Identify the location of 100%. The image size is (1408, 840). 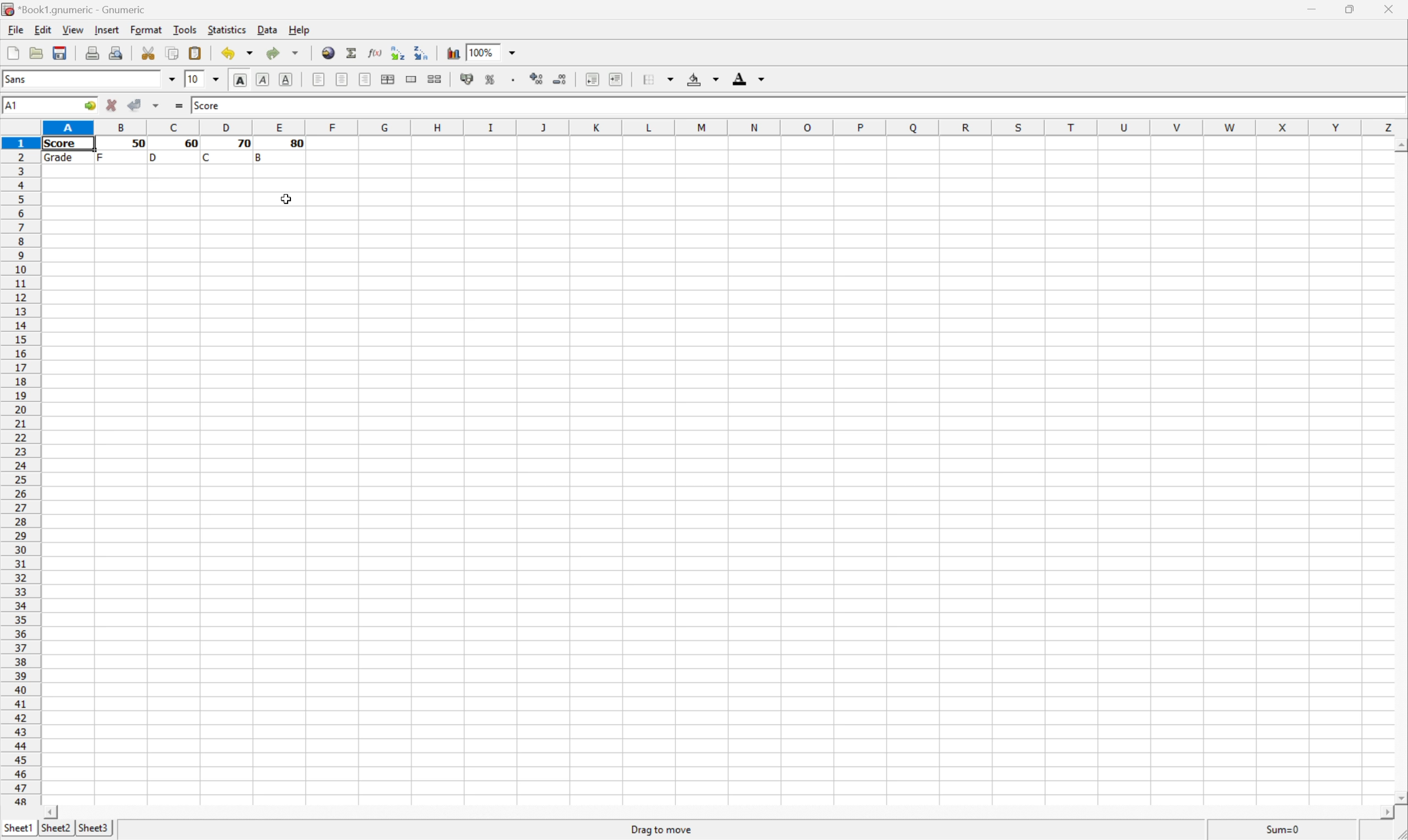
(483, 52).